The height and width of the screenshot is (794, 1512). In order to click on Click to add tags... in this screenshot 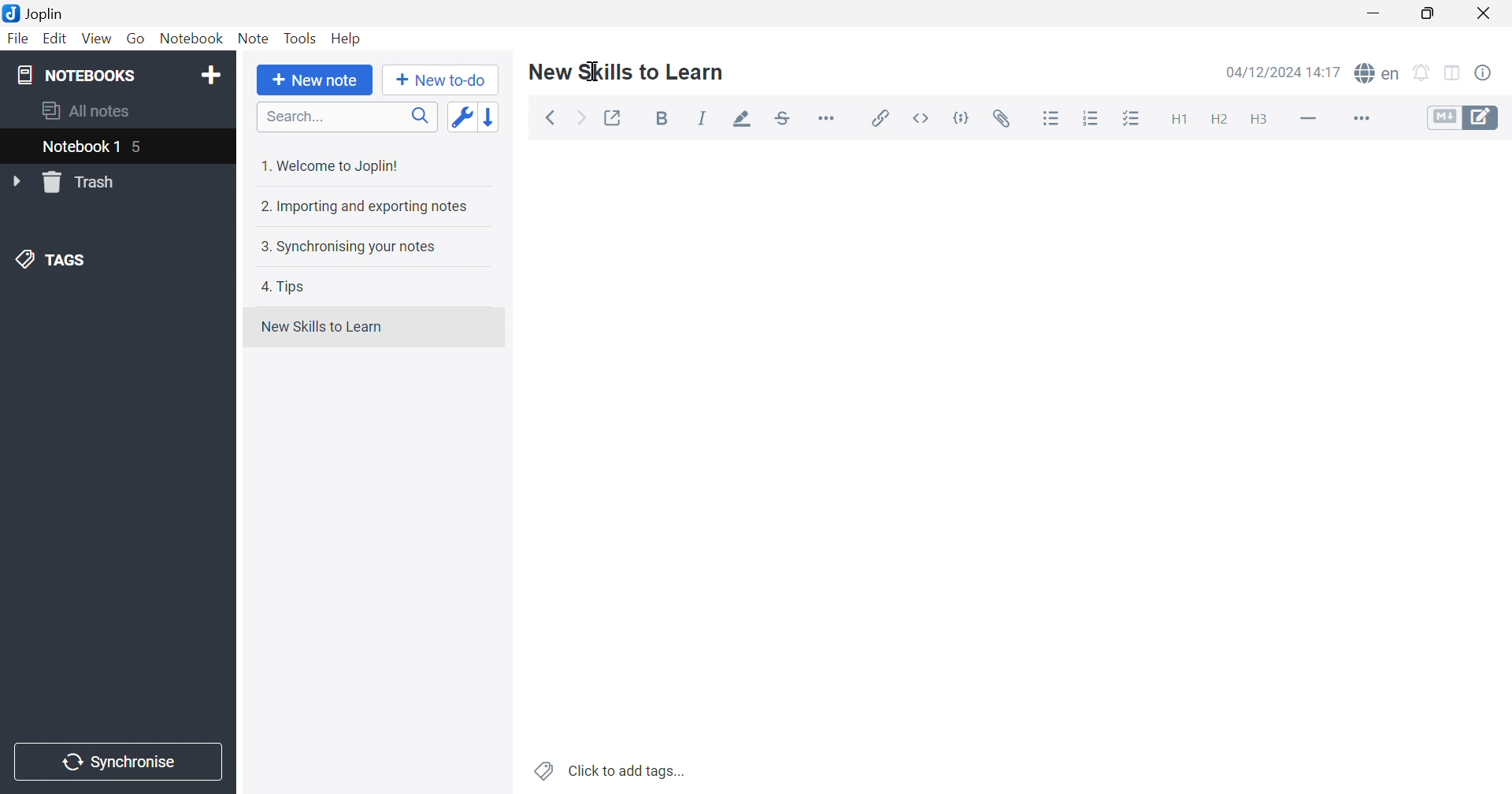, I will do `click(612, 771)`.